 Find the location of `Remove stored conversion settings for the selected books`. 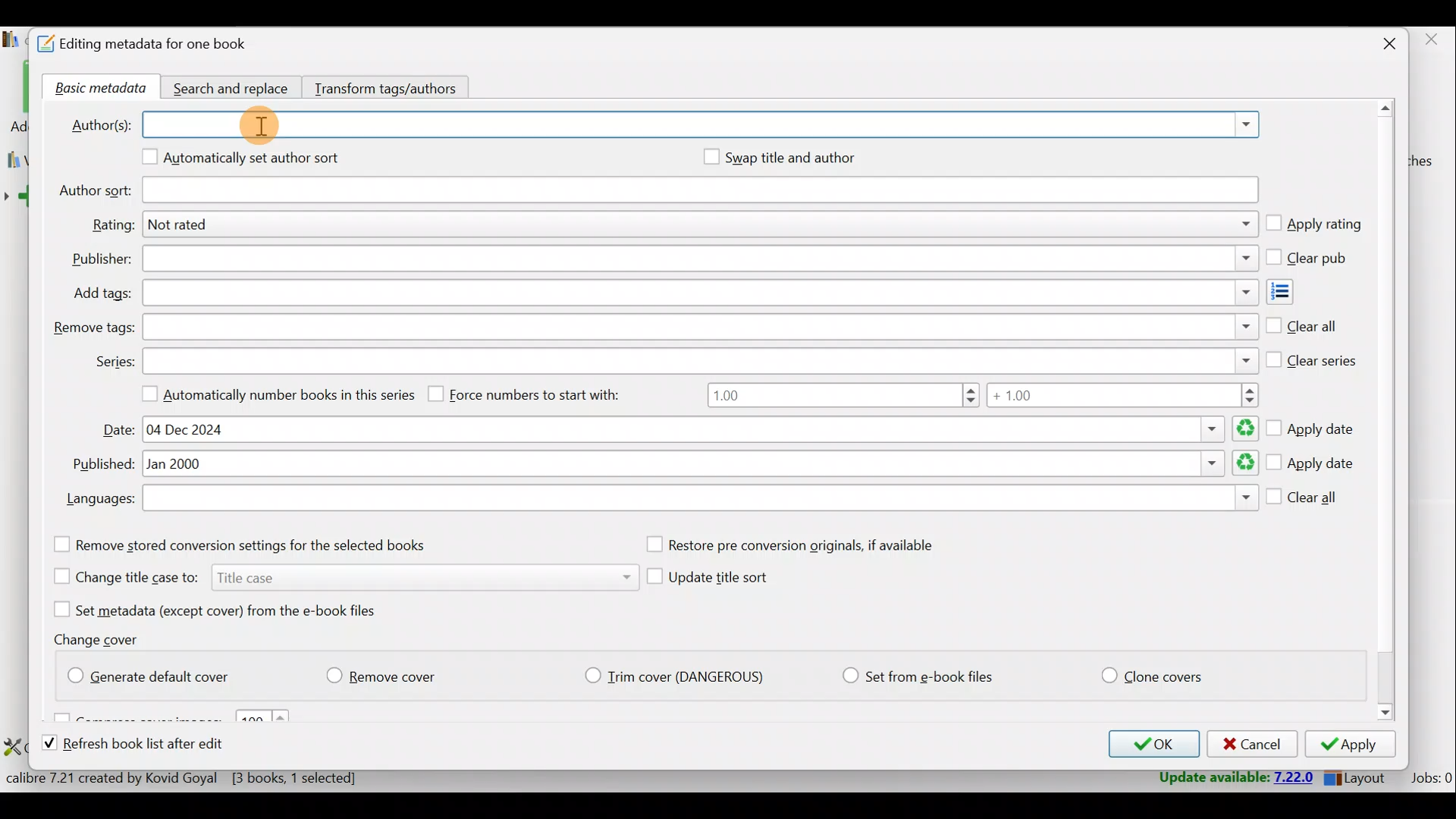

Remove stored conversion settings for the selected books is located at coordinates (260, 544).